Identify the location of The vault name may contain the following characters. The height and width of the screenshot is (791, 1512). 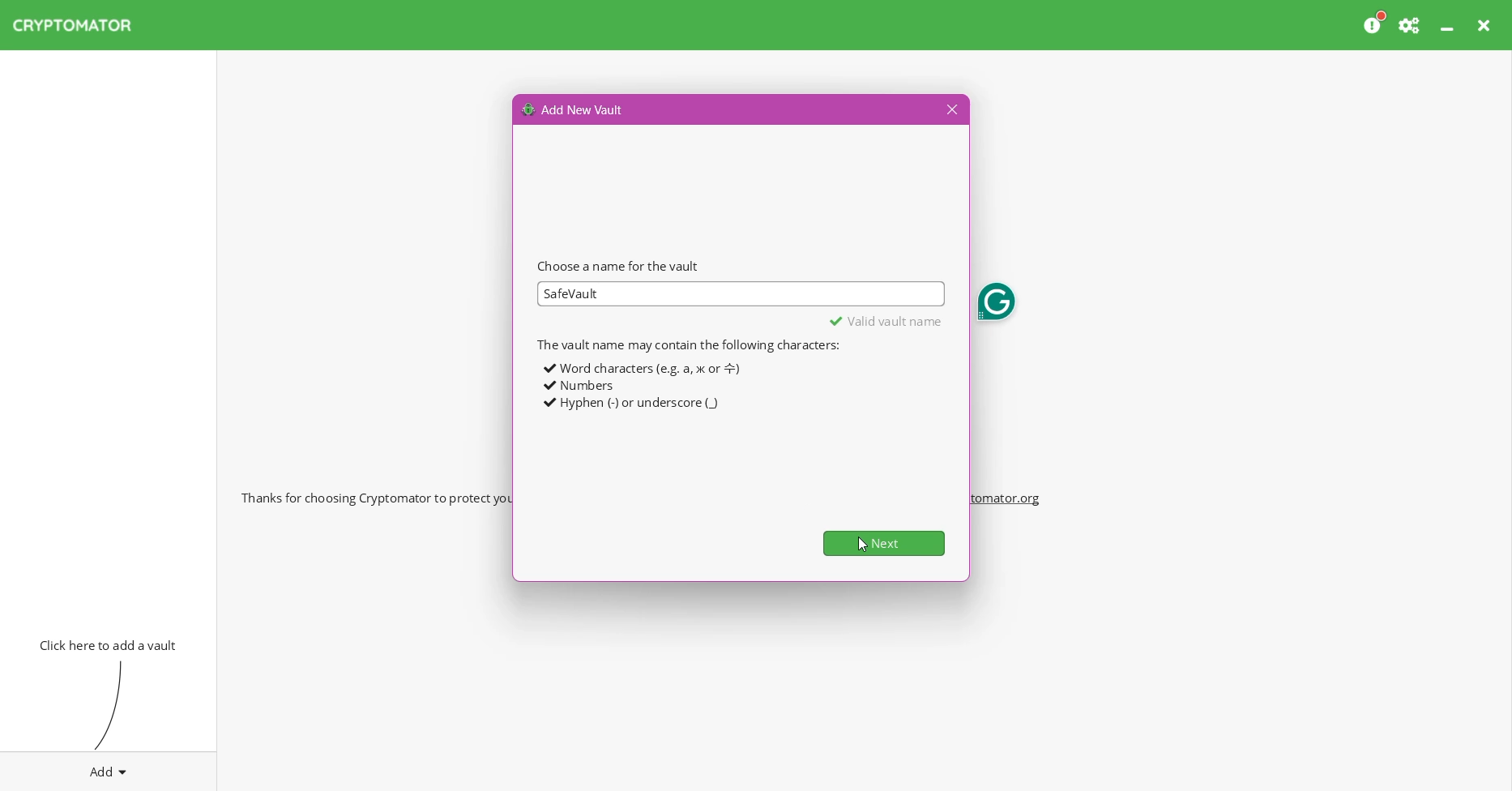
(687, 344).